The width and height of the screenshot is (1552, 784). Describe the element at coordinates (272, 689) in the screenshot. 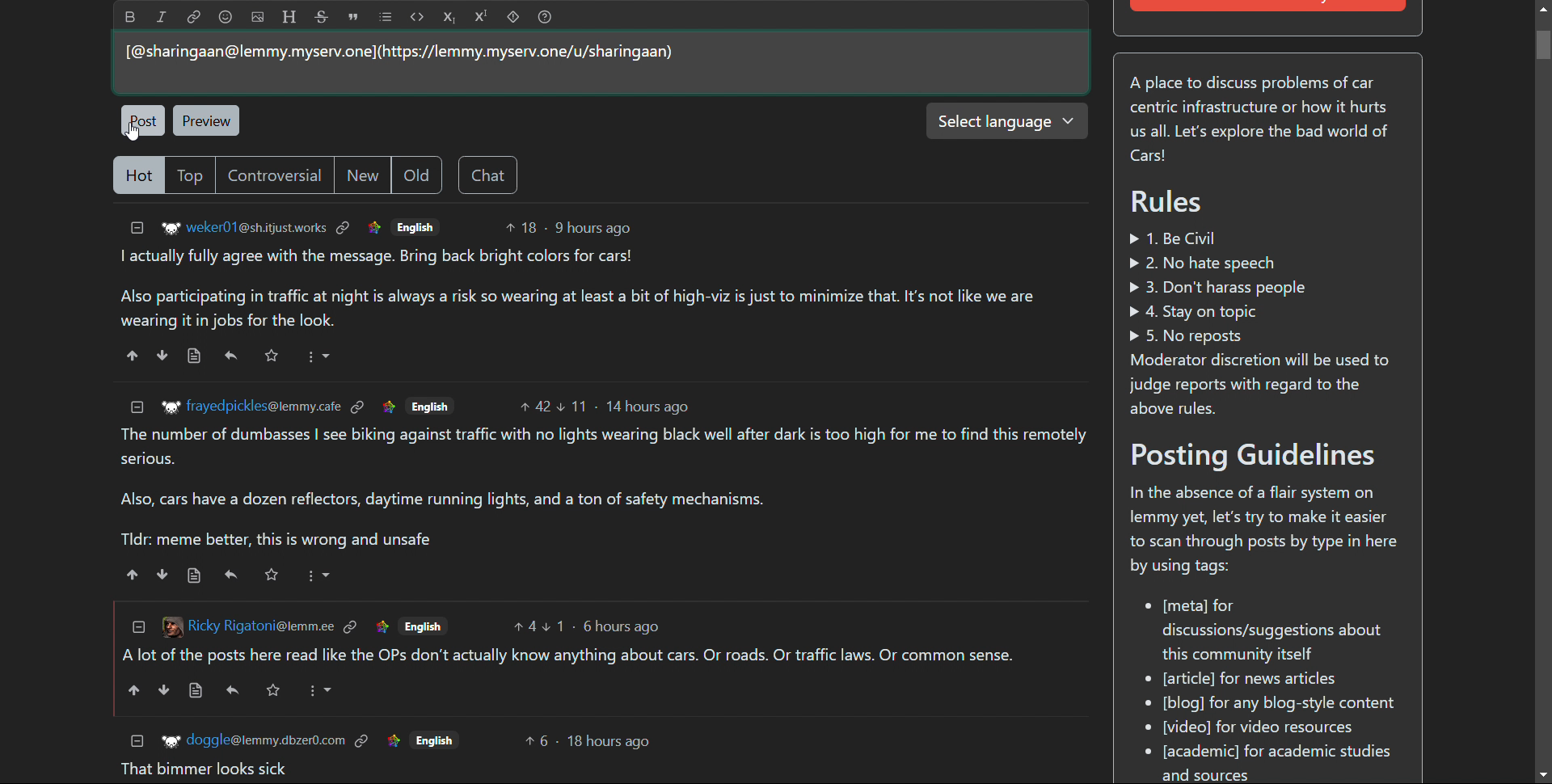

I see `` at that location.